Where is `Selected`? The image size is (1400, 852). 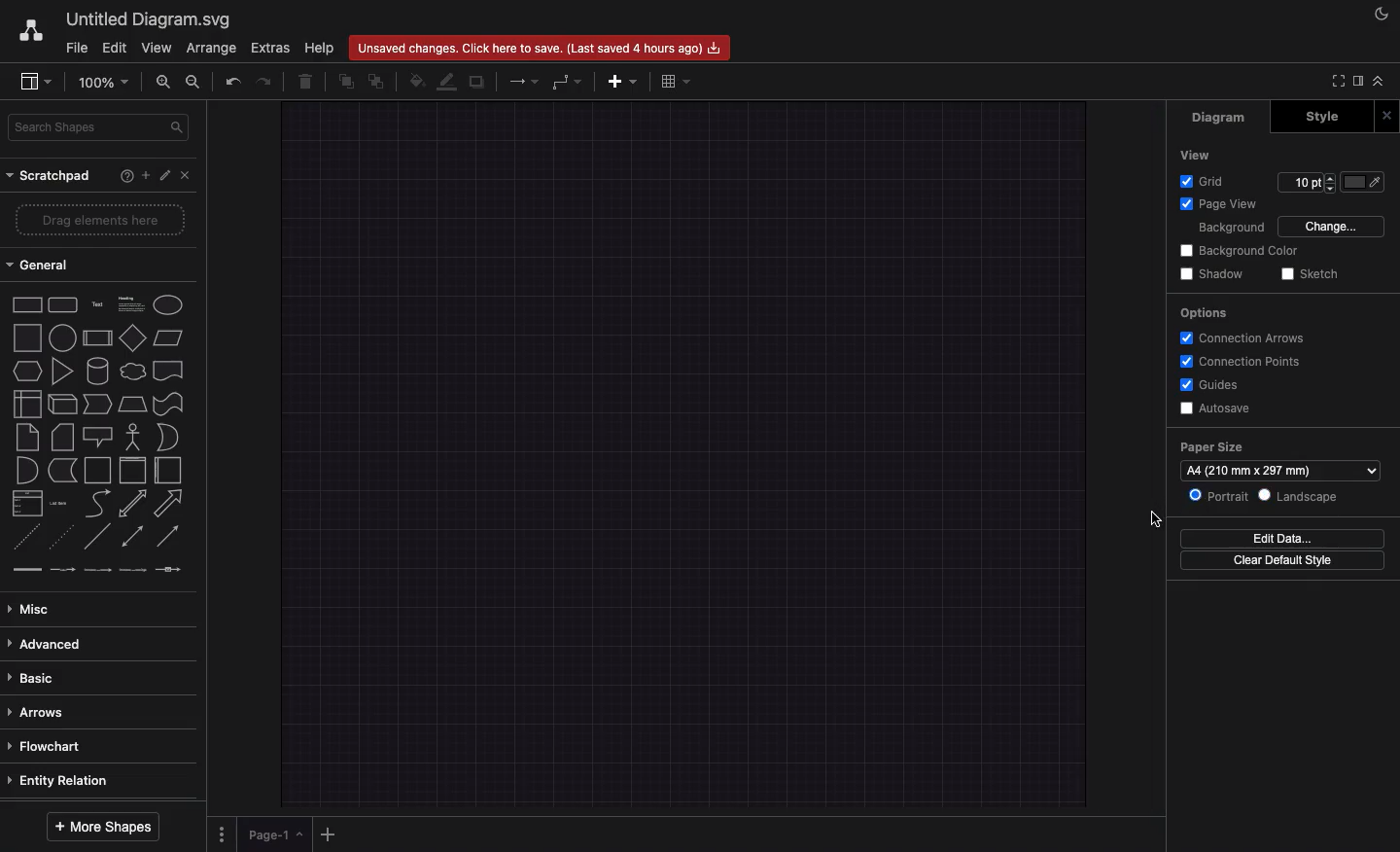 Selected is located at coordinates (1159, 516).